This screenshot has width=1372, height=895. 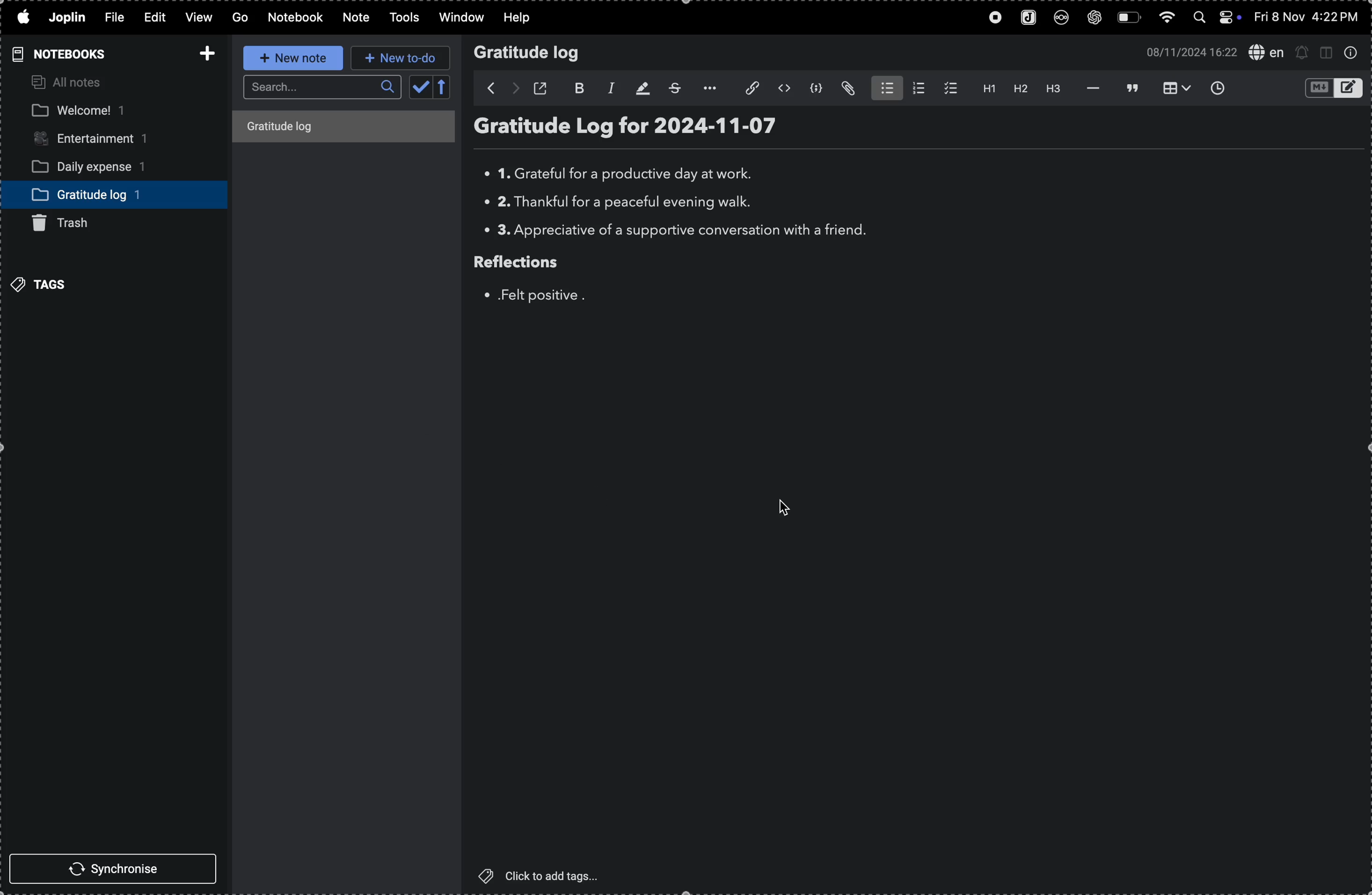 What do you see at coordinates (157, 17) in the screenshot?
I see `edit` at bounding box center [157, 17].